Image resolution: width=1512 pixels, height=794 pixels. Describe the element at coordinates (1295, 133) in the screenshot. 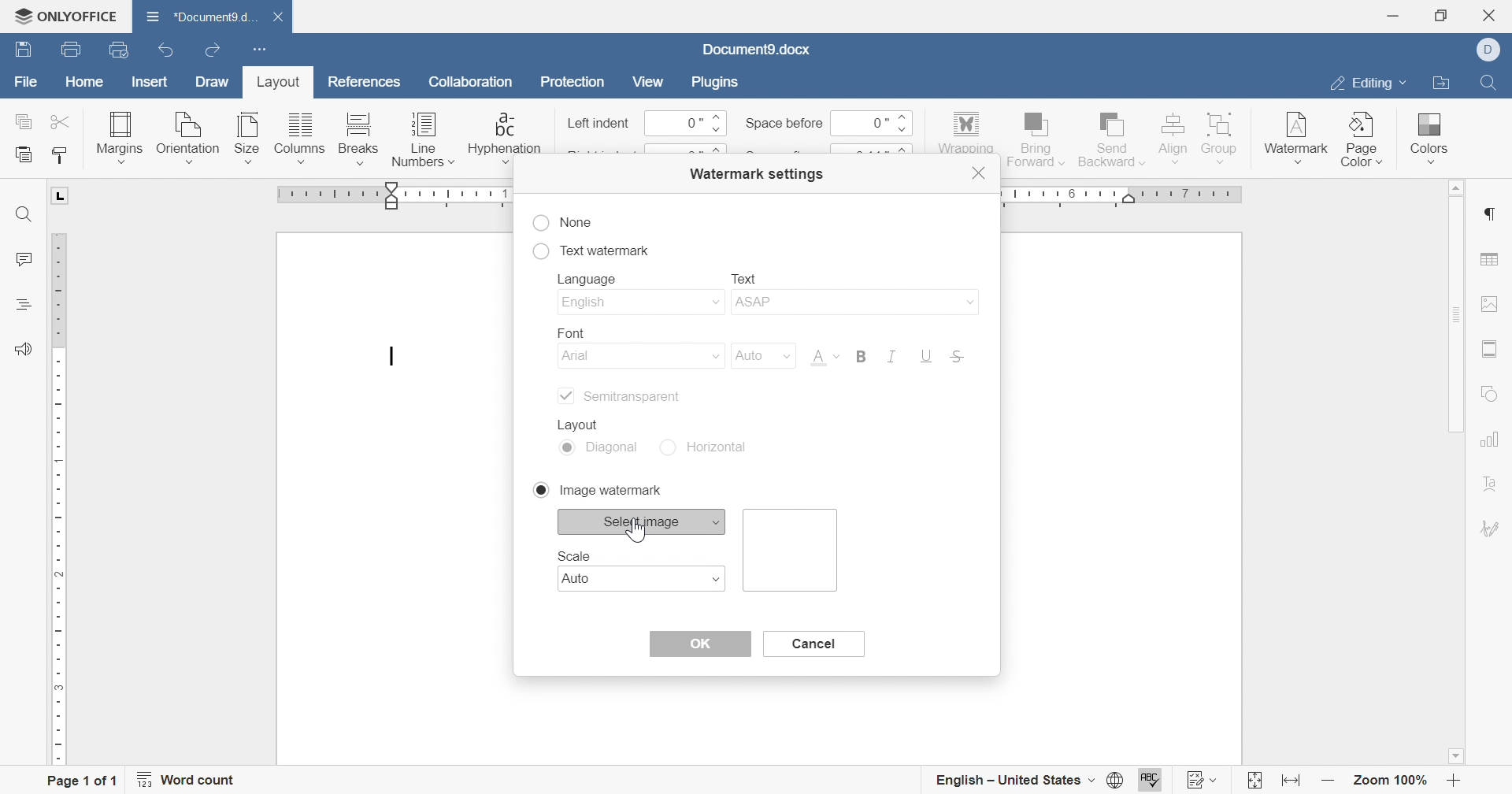

I see `watermark` at that location.